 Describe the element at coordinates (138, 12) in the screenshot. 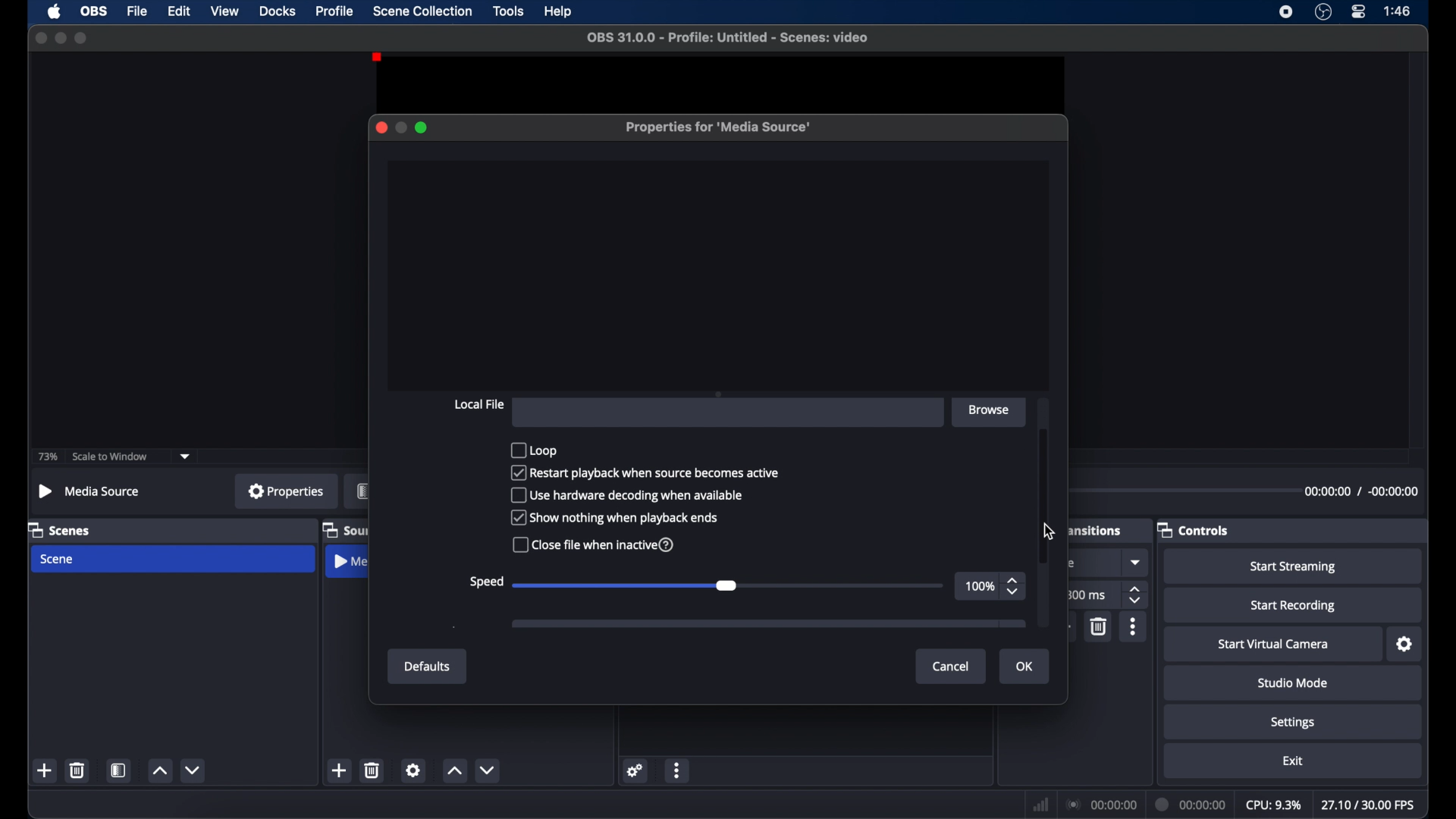

I see `file` at that location.